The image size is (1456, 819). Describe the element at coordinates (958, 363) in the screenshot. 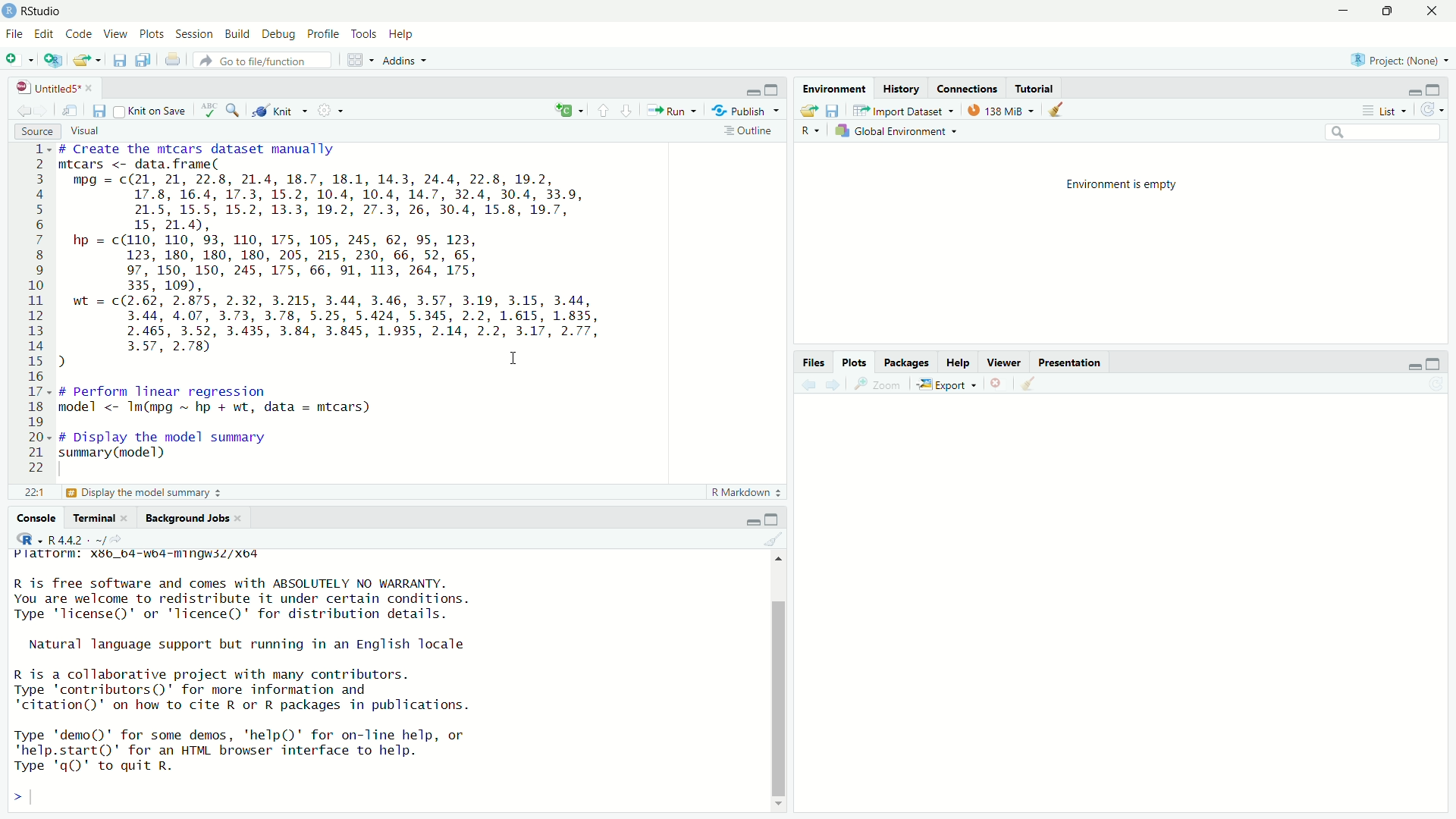

I see `Help` at that location.